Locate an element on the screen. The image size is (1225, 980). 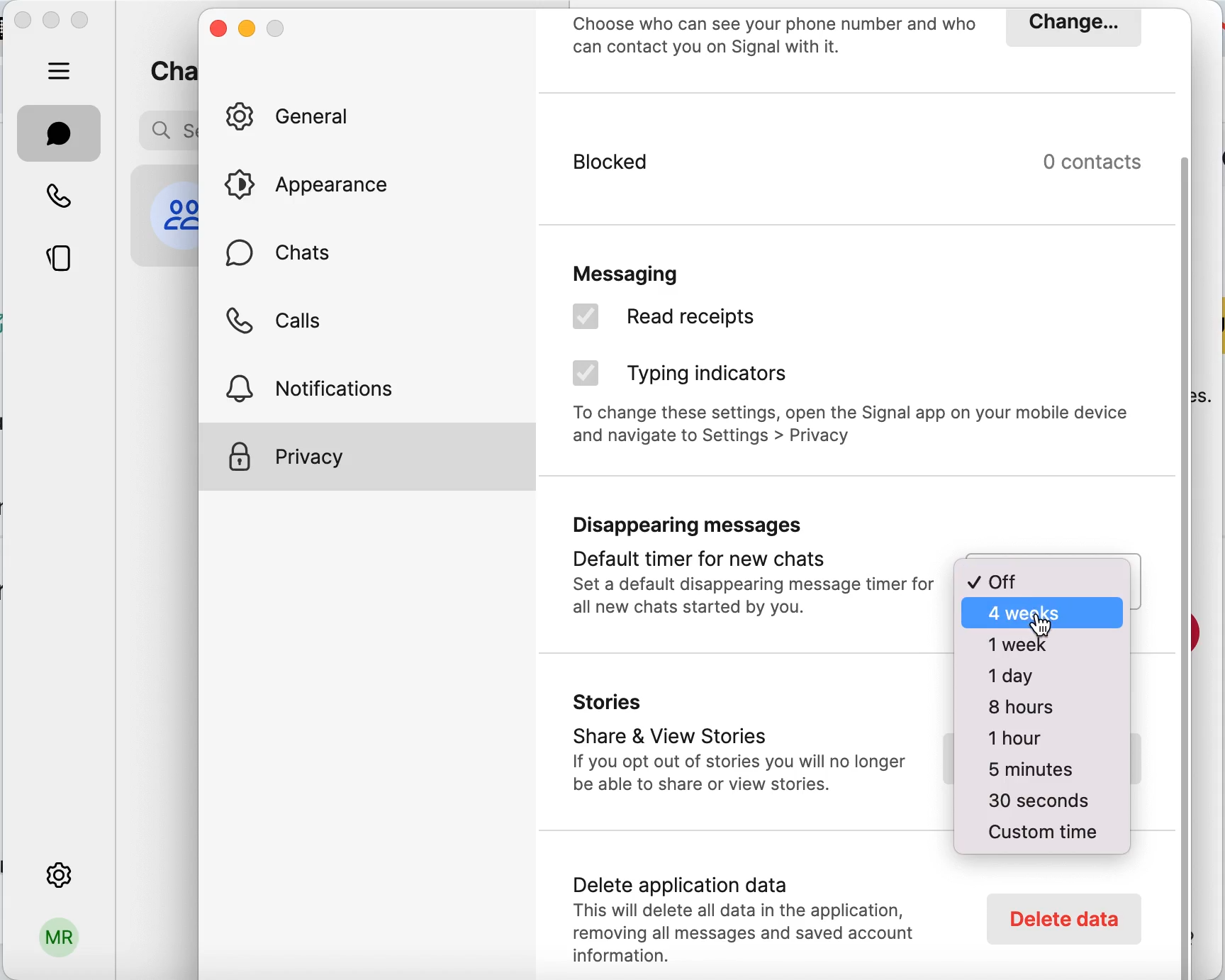
appearance is located at coordinates (318, 184).